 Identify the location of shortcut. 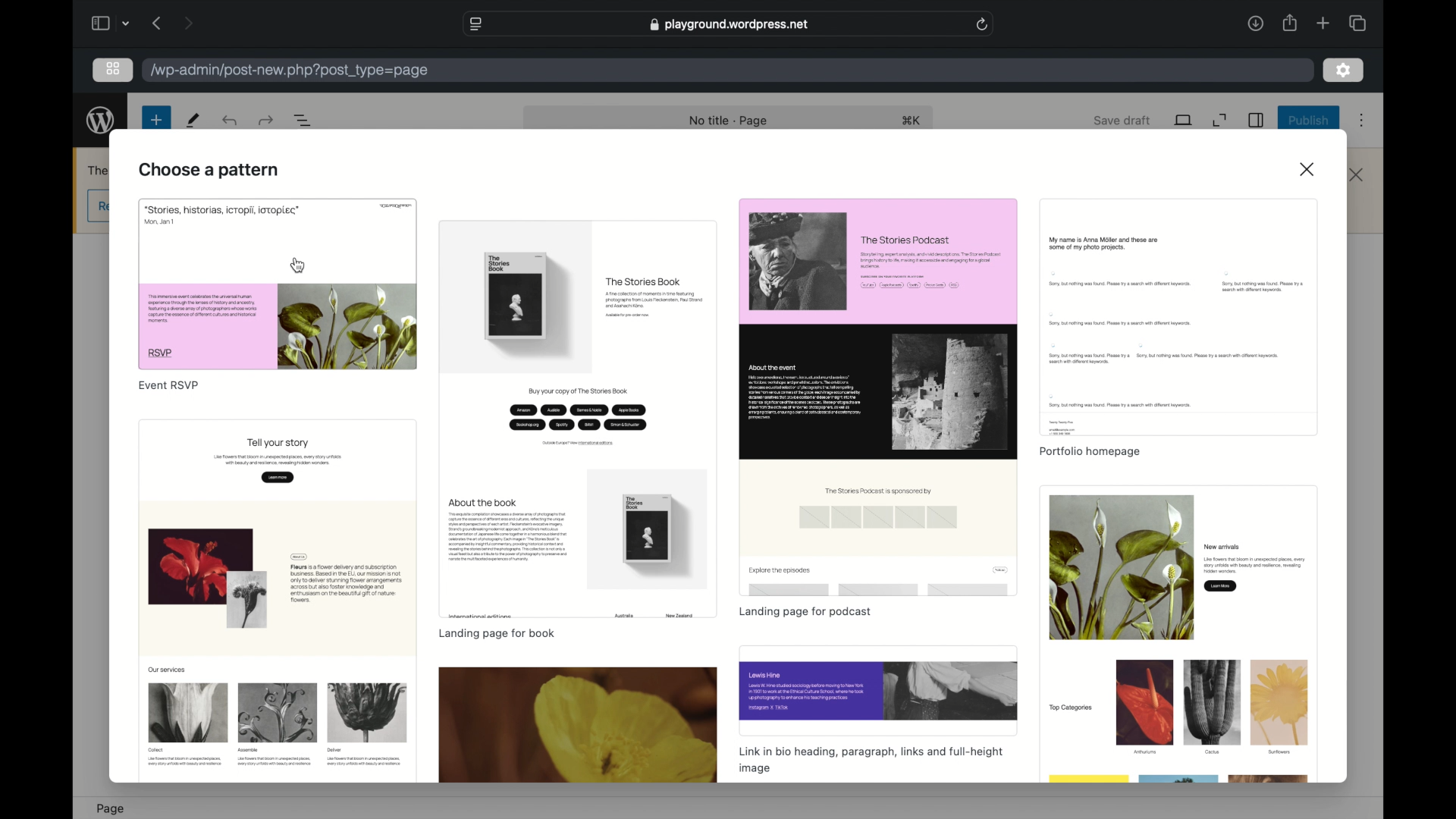
(914, 120).